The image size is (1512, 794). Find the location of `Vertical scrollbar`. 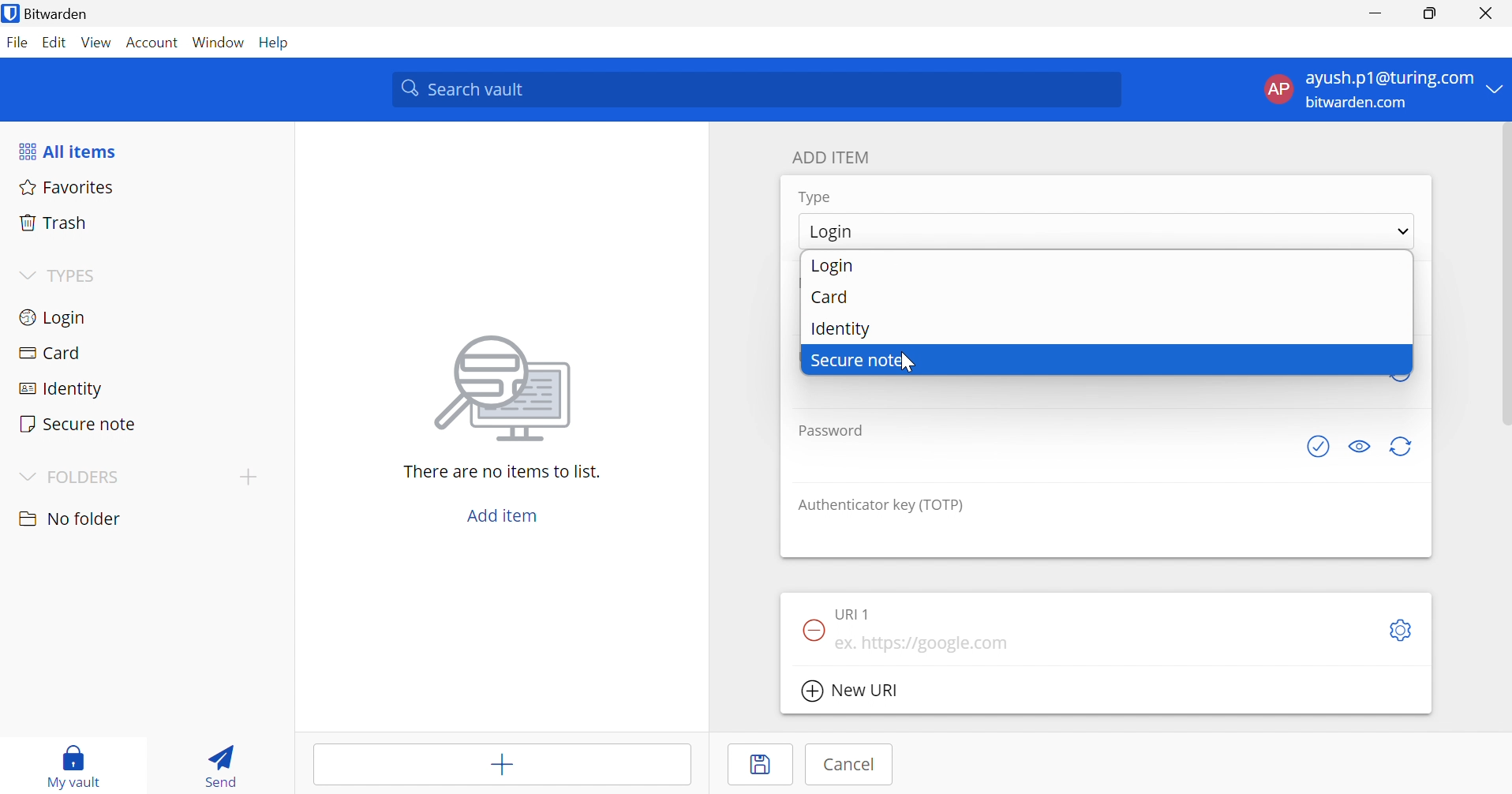

Vertical scrollbar is located at coordinates (1503, 275).